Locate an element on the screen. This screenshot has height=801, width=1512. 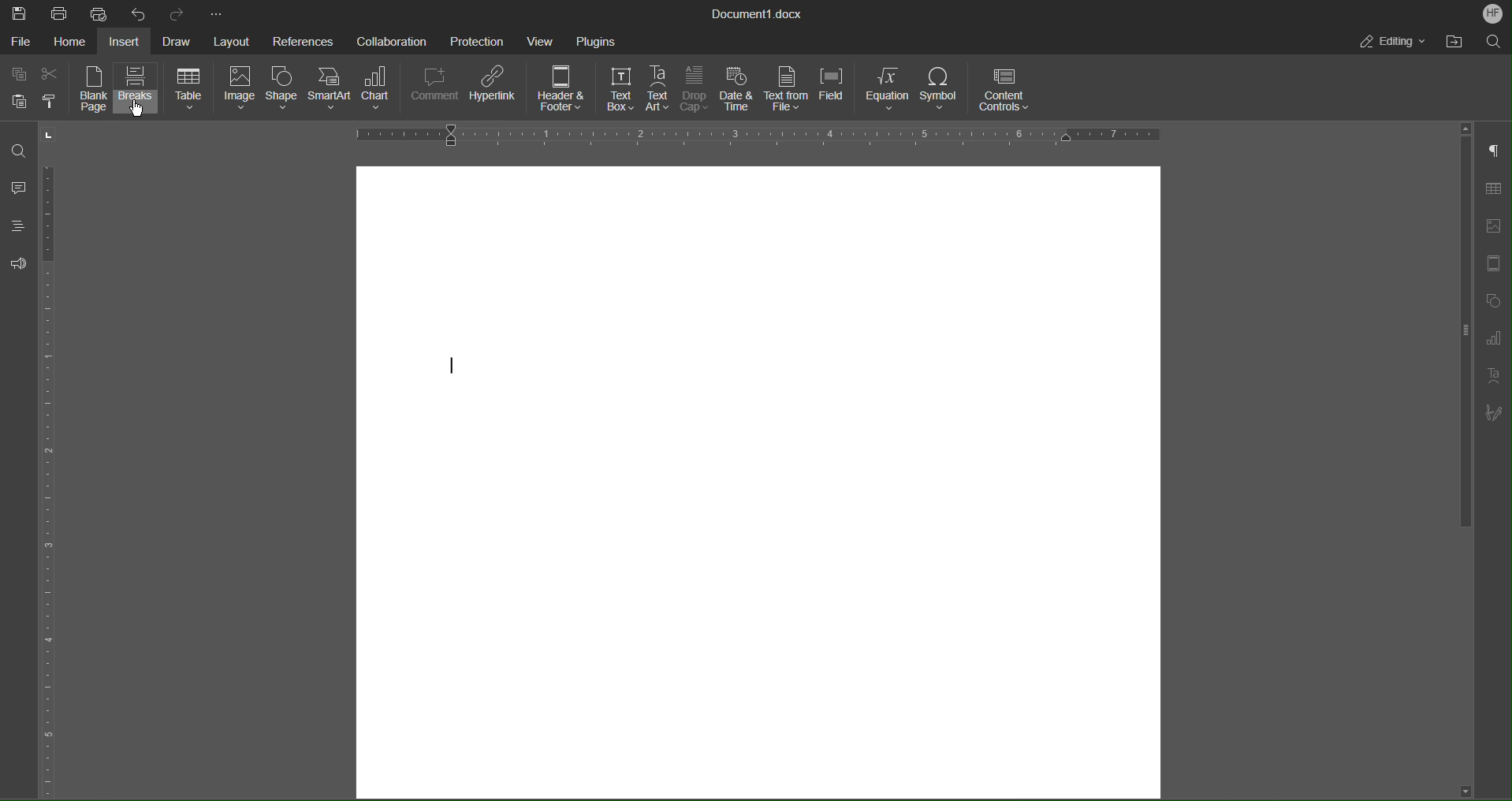
Print  is located at coordinates (60, 12).